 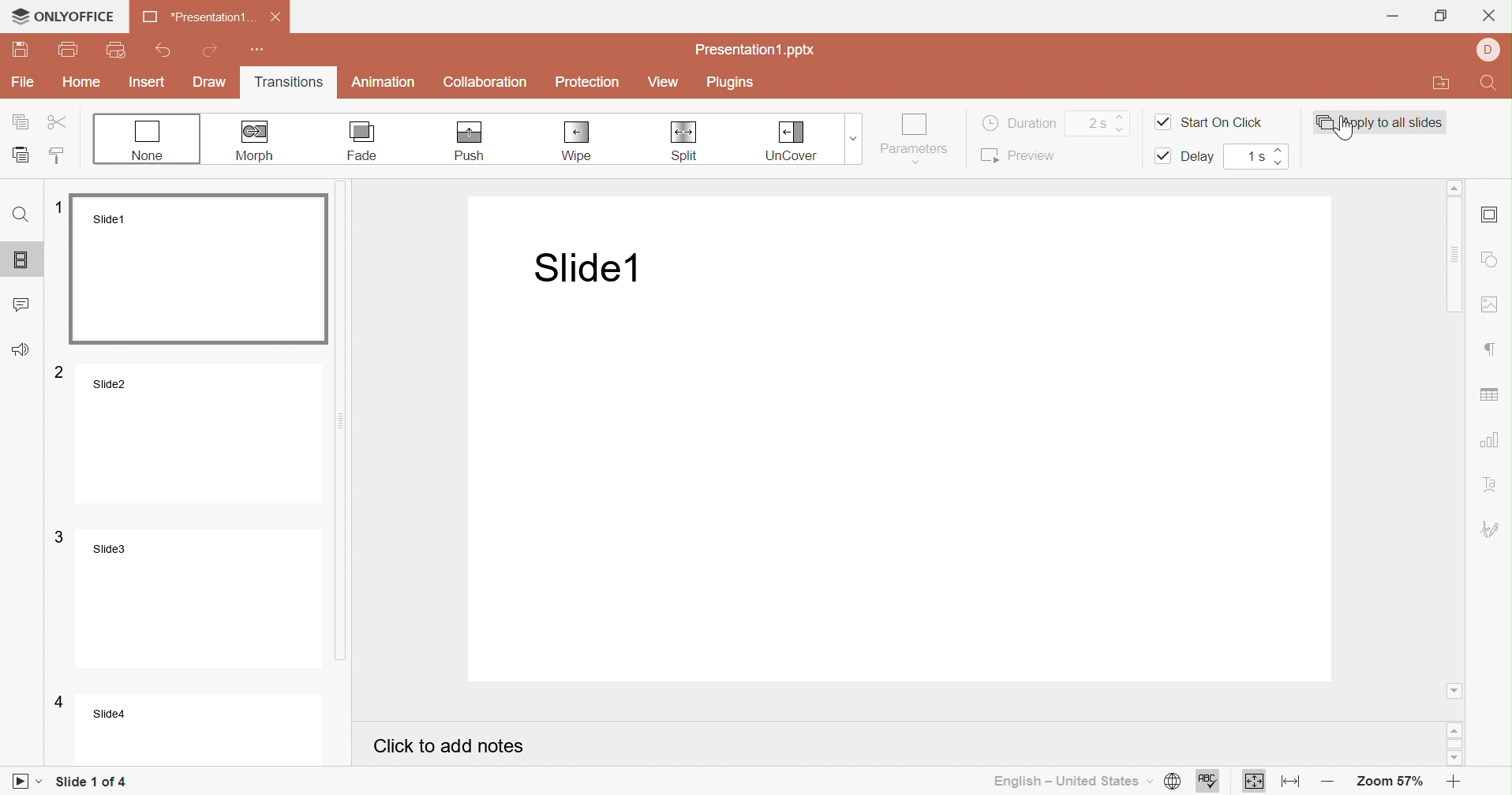 I want to click on Slide settings, so click(x=1488, y=215).